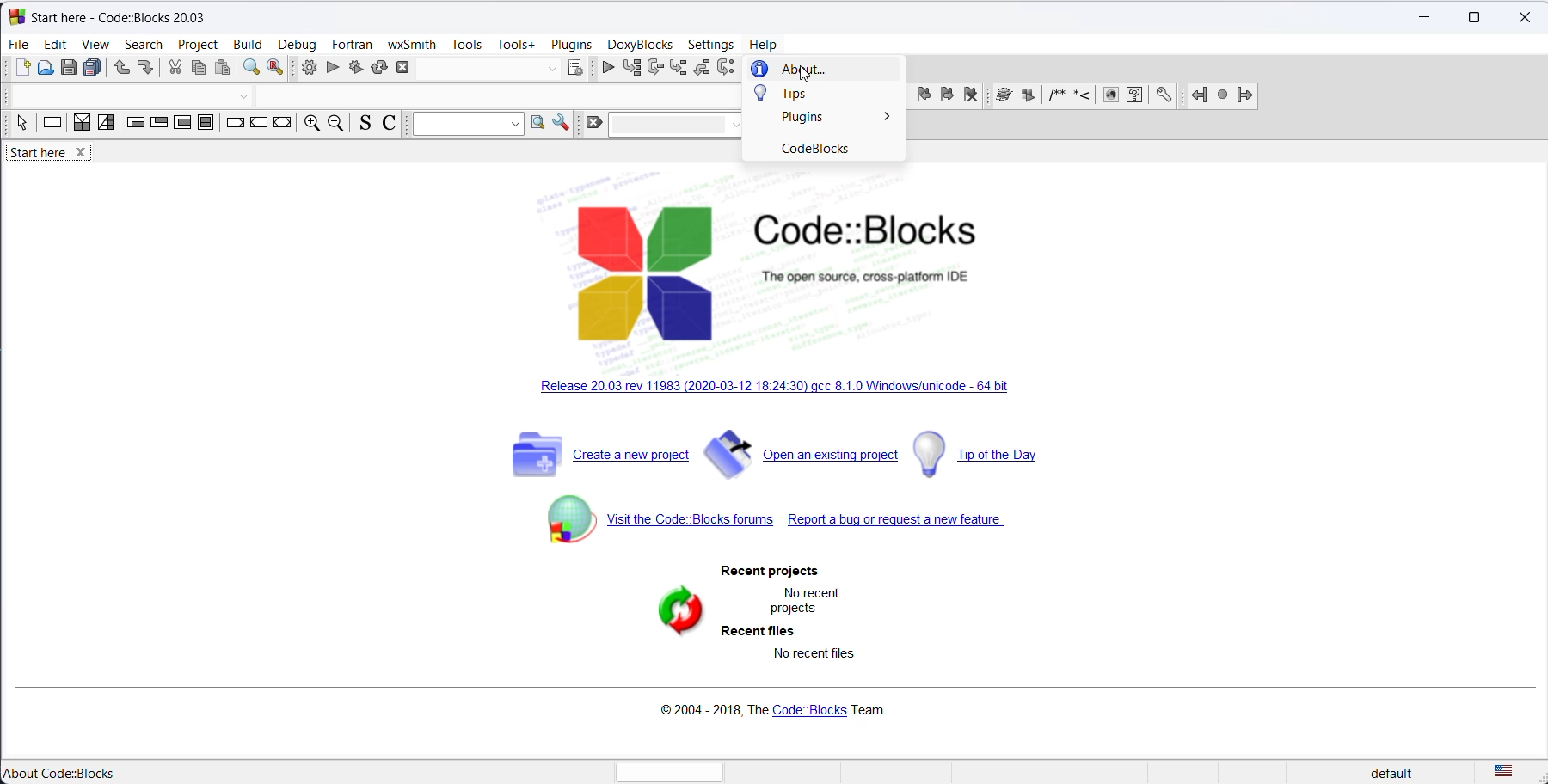 The width and height of the screenshot is (1548, 784). I want to click on maximize, so click(1473, 20).